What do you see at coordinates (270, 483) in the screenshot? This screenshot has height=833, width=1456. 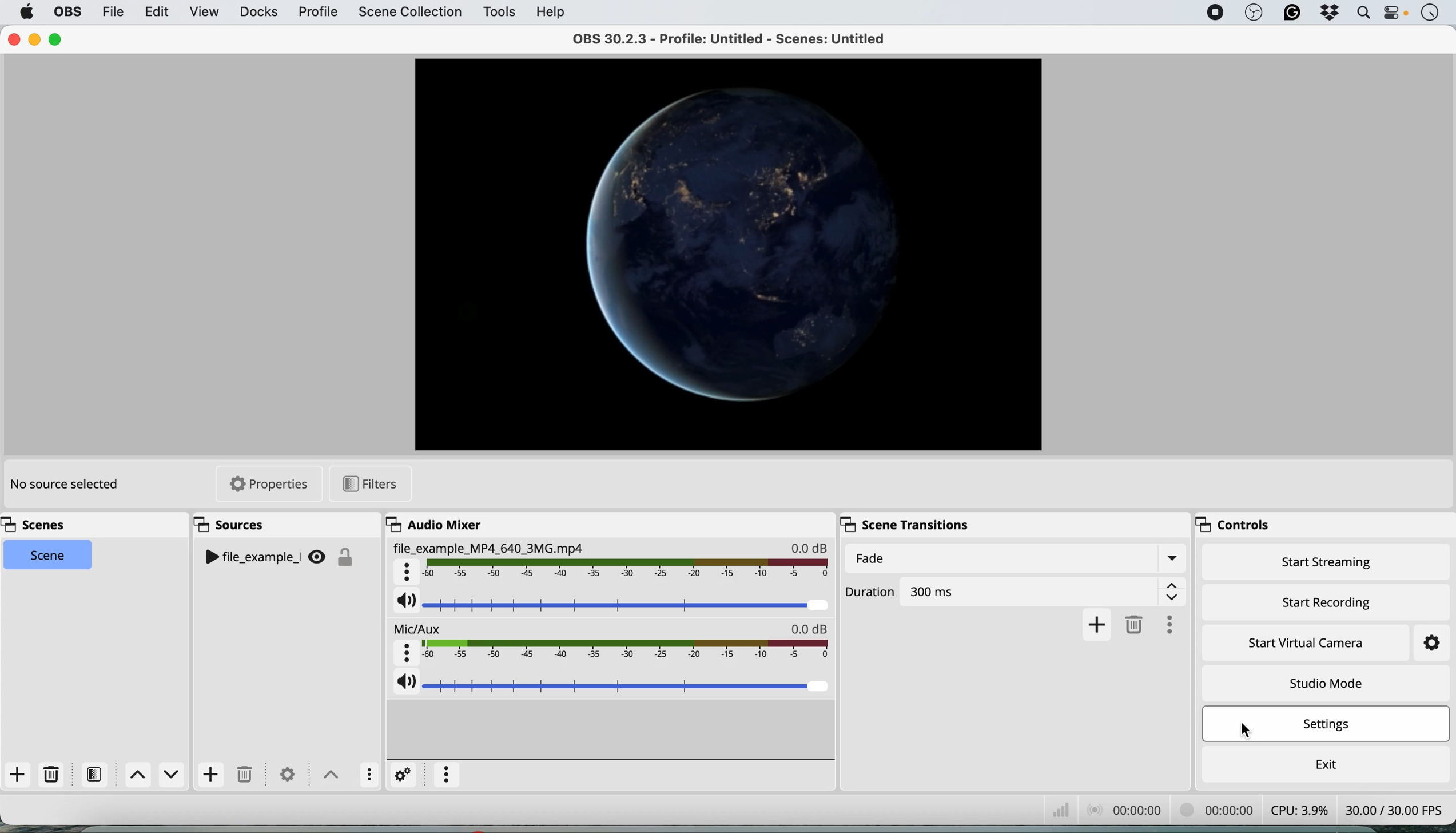 I see `properties` at bounding box center [270, 483].